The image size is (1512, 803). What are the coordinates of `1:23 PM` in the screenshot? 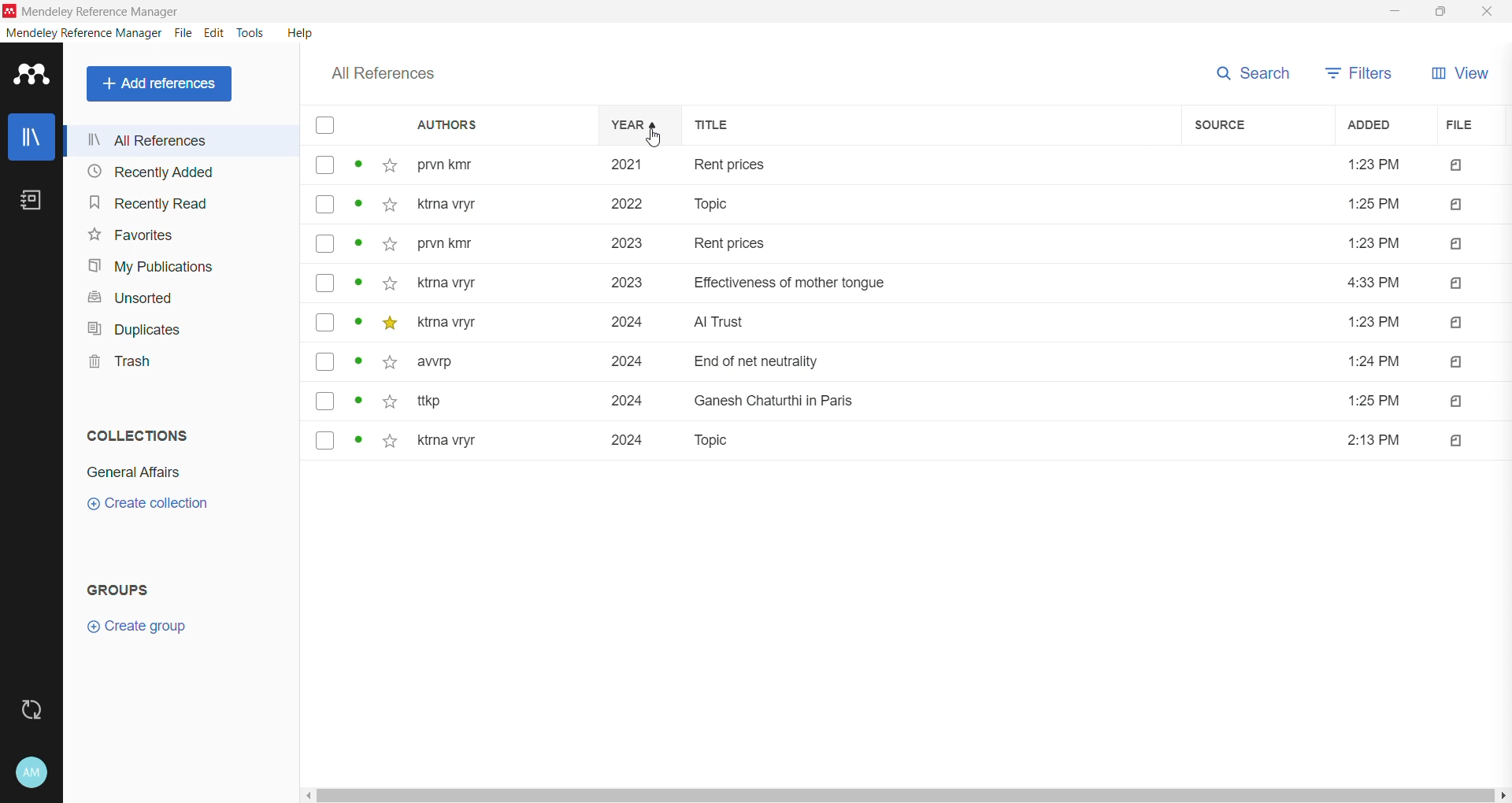 It's located at (1374, 162).